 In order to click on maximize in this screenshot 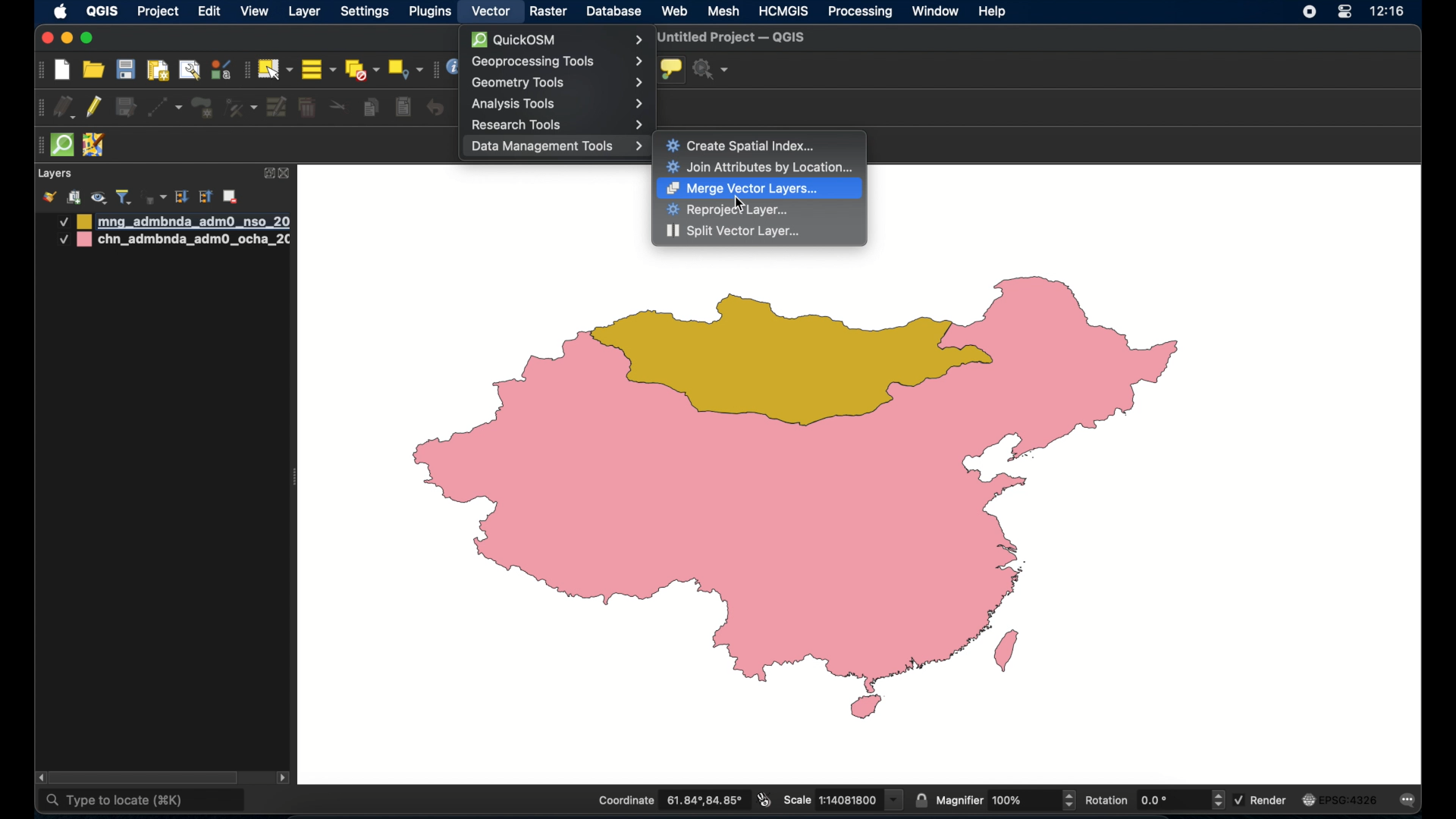, I will do `click(87, 39)`.